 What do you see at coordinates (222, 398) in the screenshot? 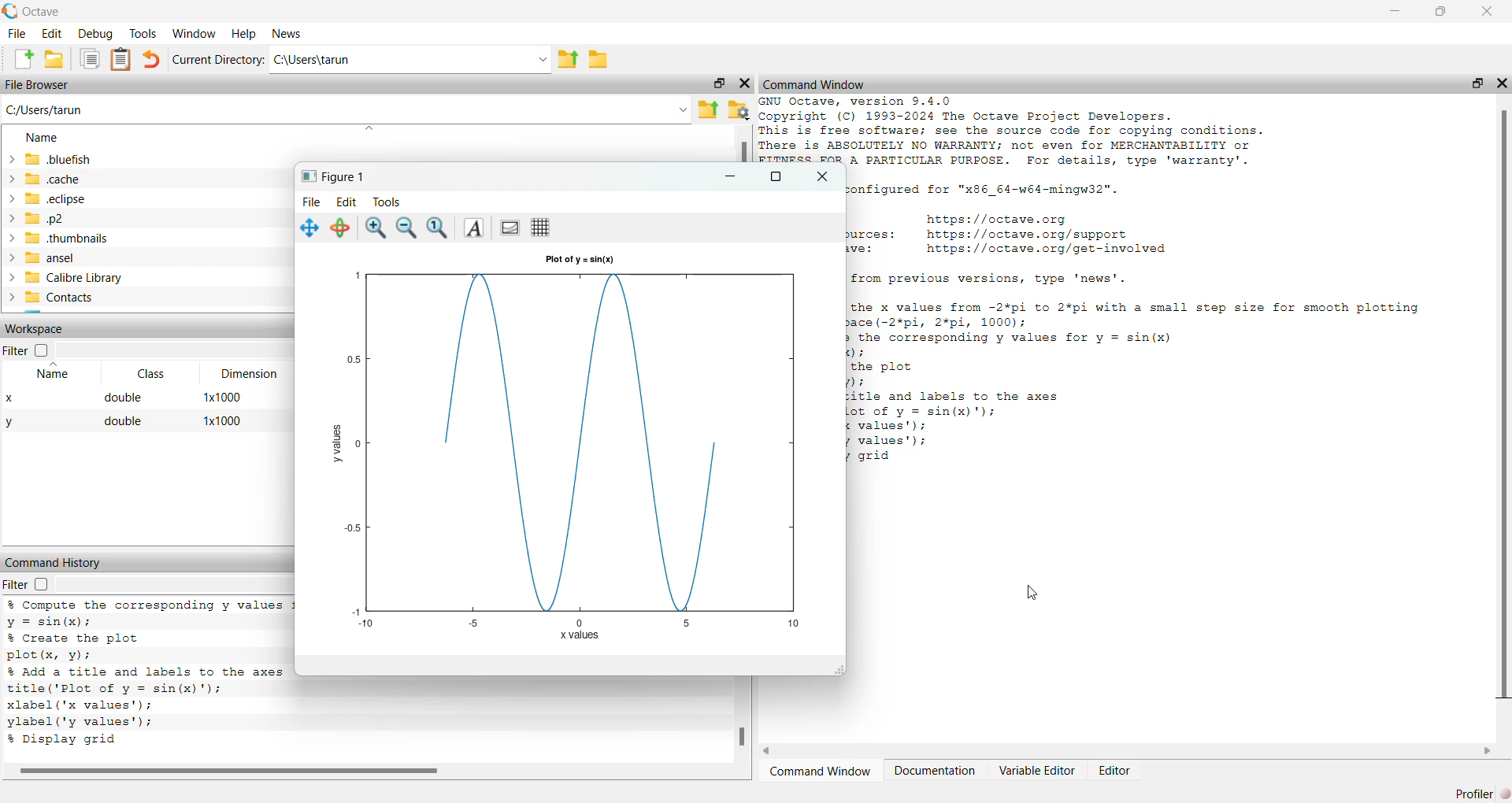
I see `1*1000` at bounding box center [222, 398].